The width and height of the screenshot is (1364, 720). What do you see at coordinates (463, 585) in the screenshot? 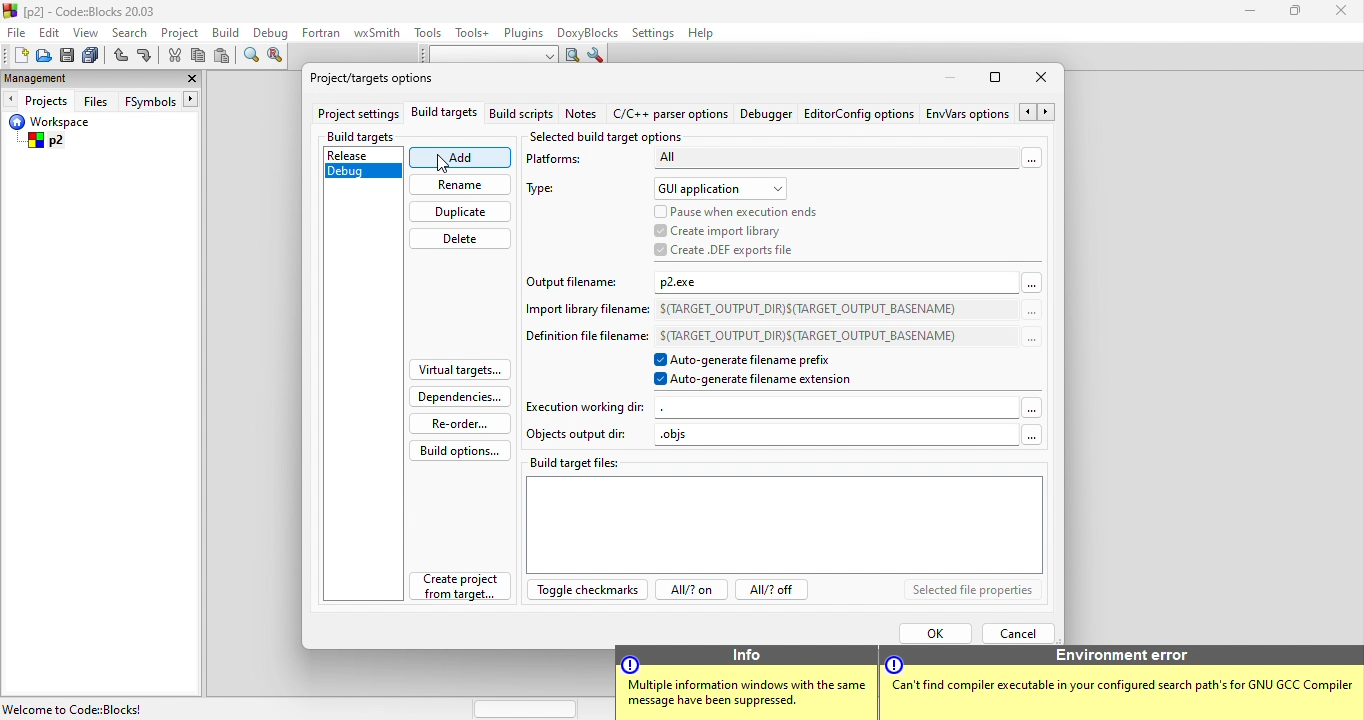
I see `create project from target` at bounding box center [463, 585].